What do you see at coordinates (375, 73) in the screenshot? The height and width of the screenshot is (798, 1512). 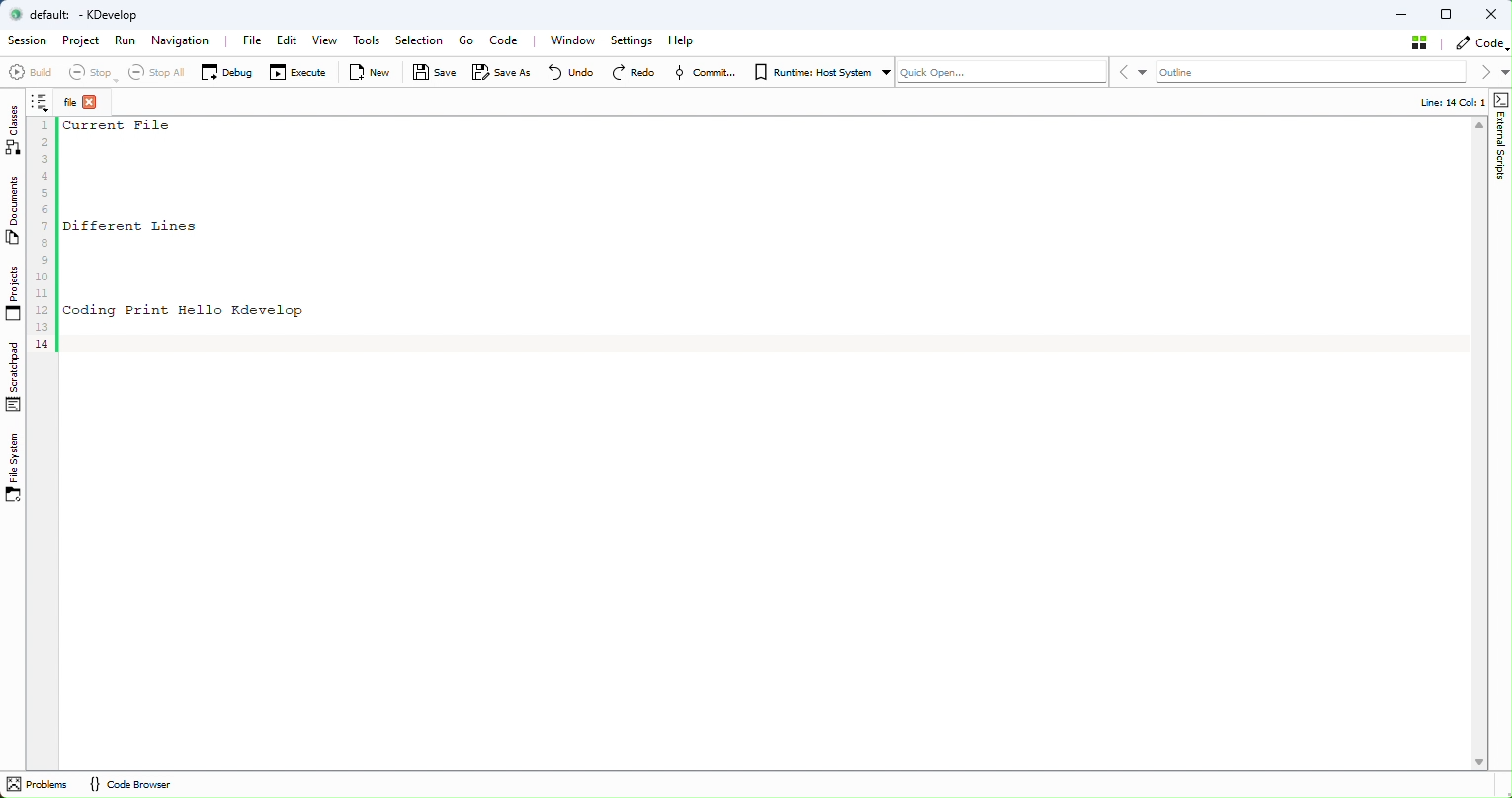 I see `New` at bounding box center [375, 73].